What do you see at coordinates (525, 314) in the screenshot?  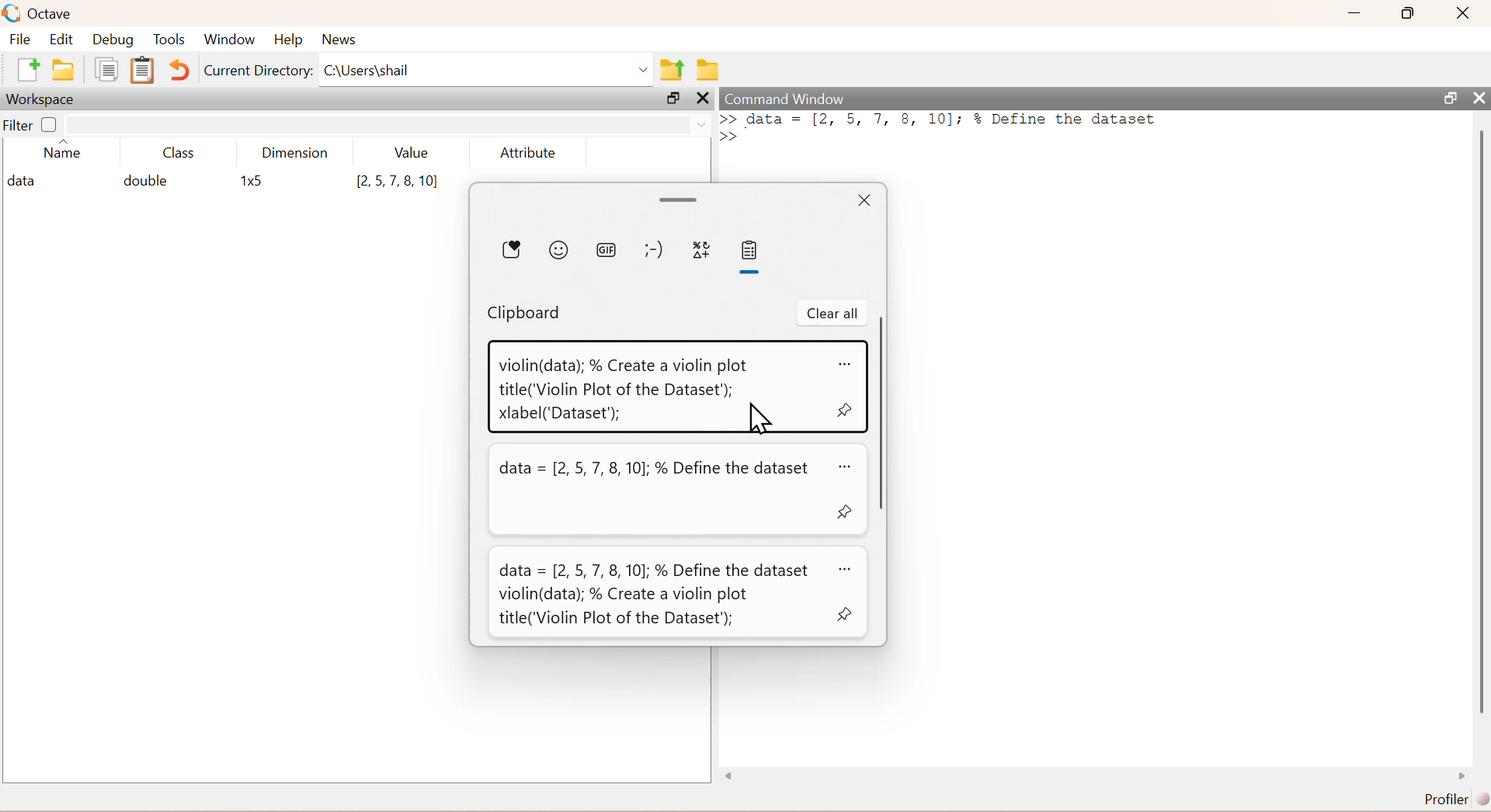 I see `Clipboard` at bounding box center [525, 314].